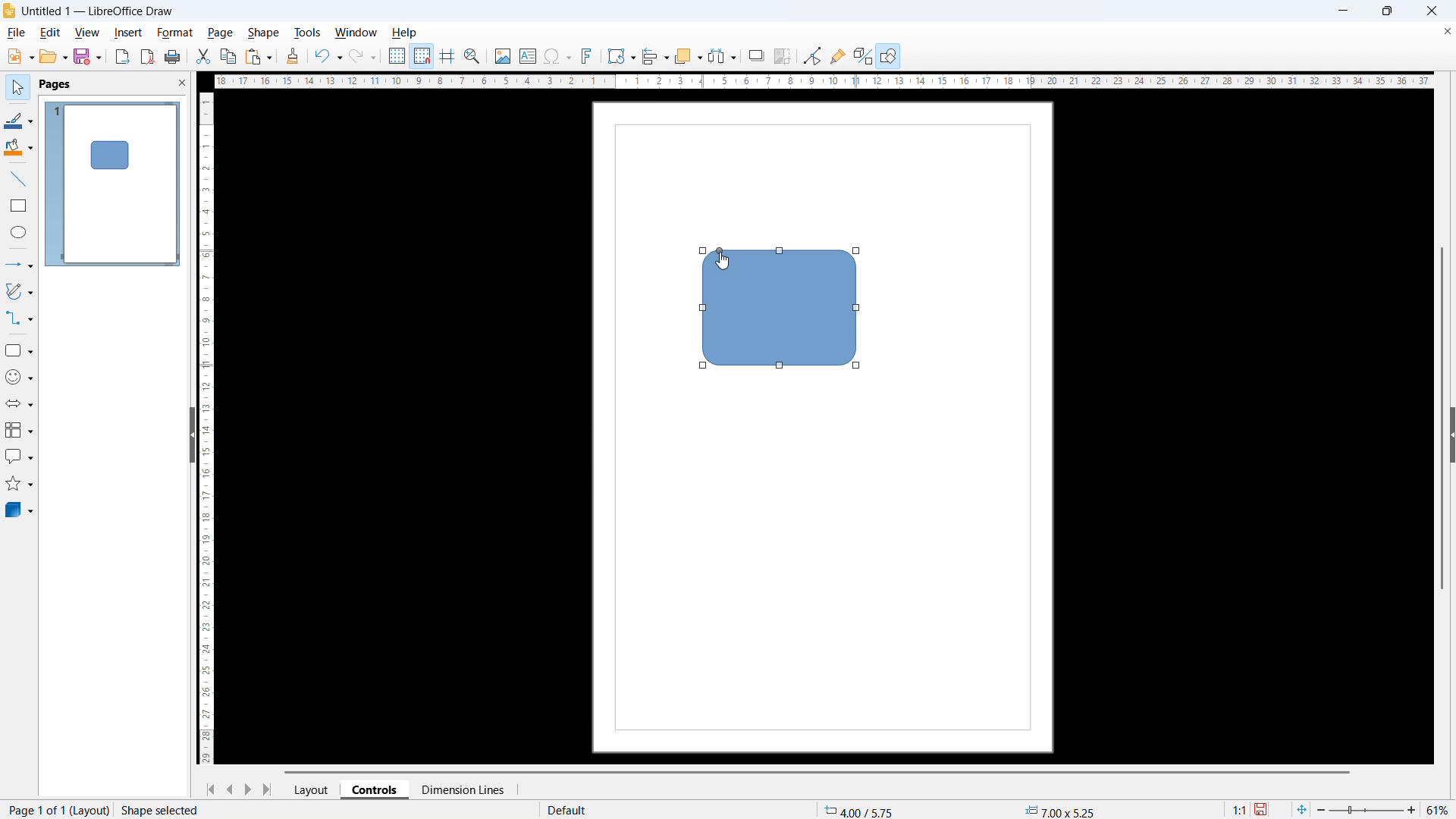 This screenshot has height=819, width=1456. Describe the element at coordinates (356, 32) in the screenshot. I see `Window ` at that location.